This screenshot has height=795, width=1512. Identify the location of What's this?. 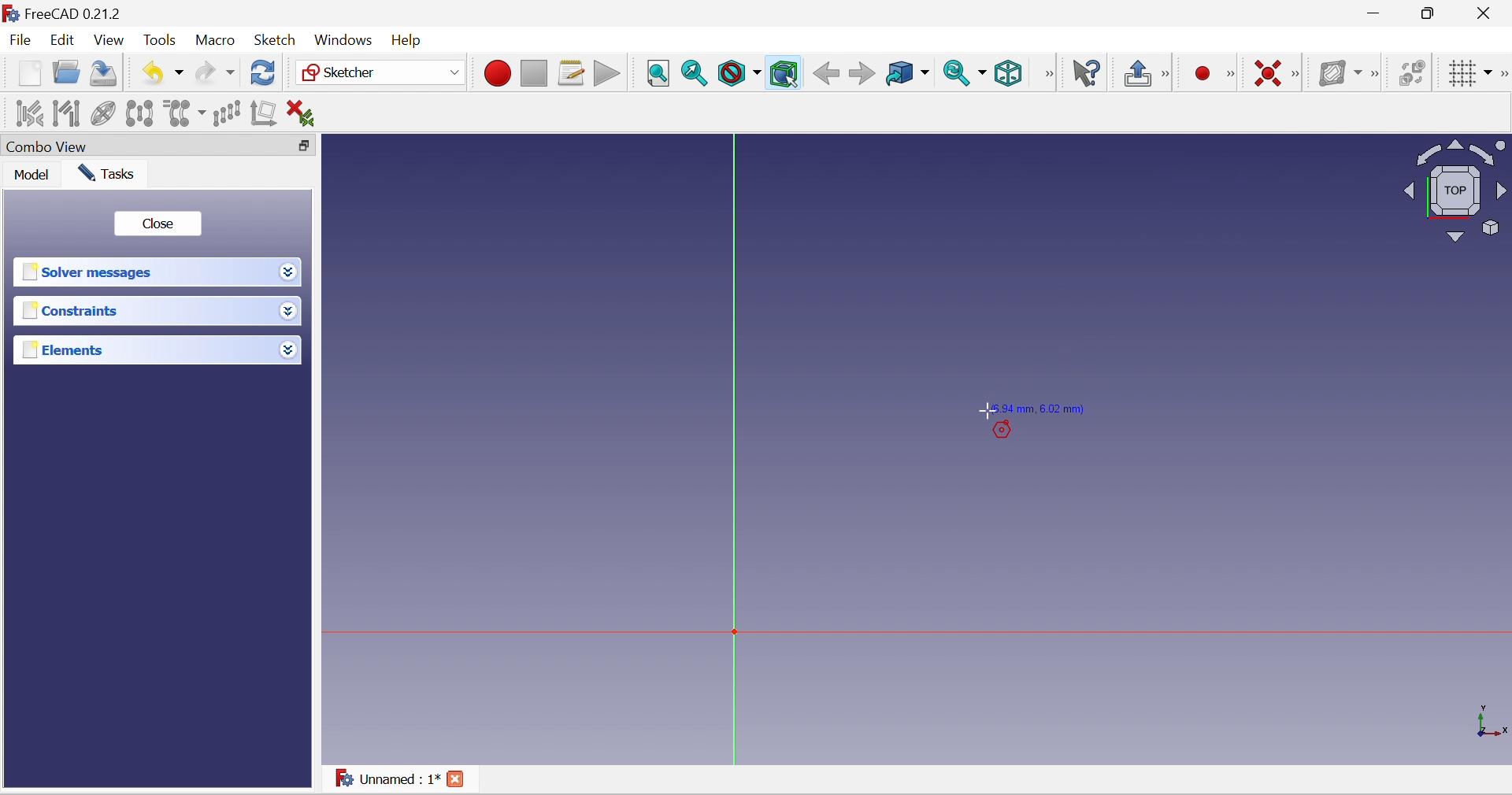
(1084, 73).